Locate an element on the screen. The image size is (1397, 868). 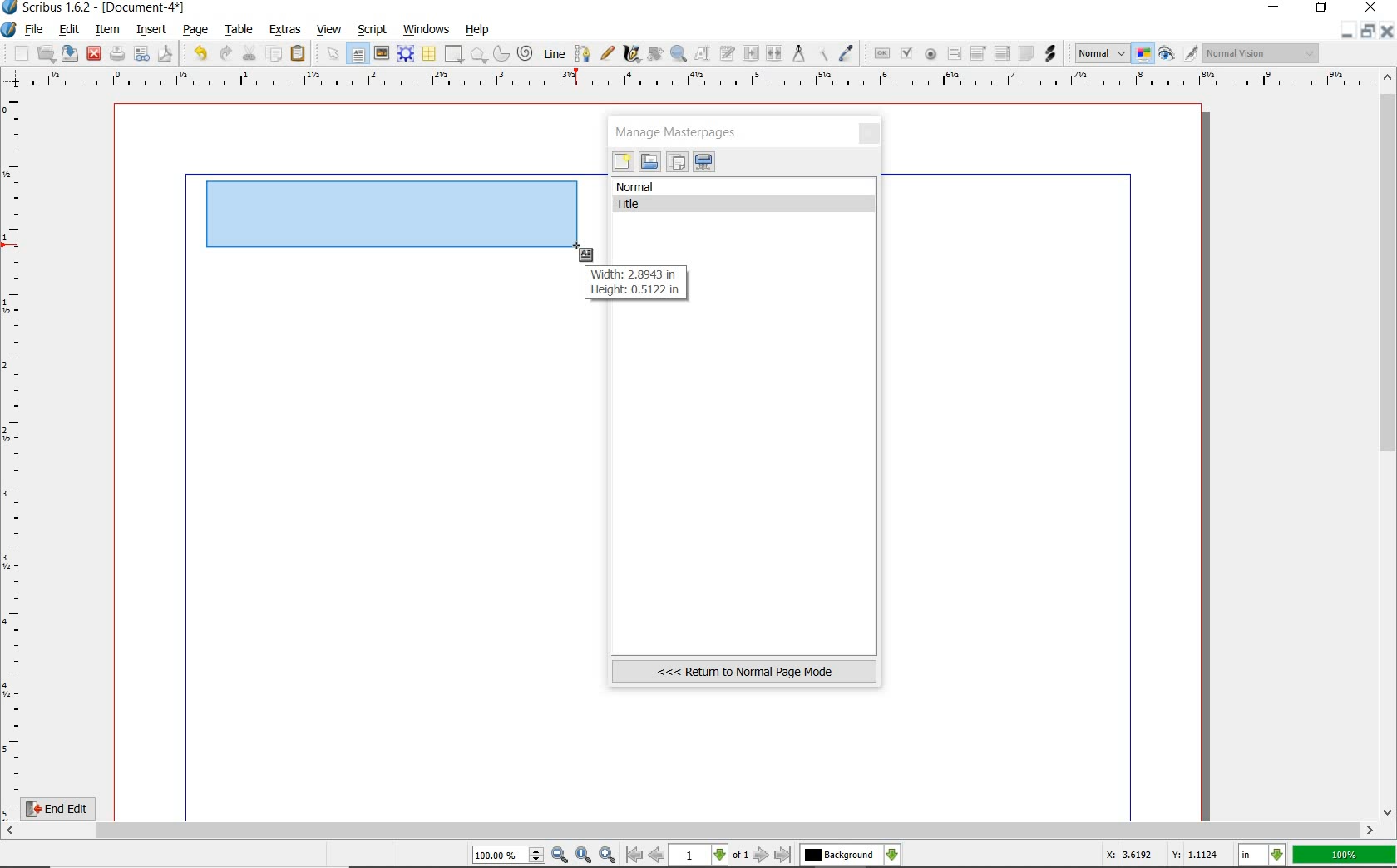
redo is located at coordinates (225, 52).